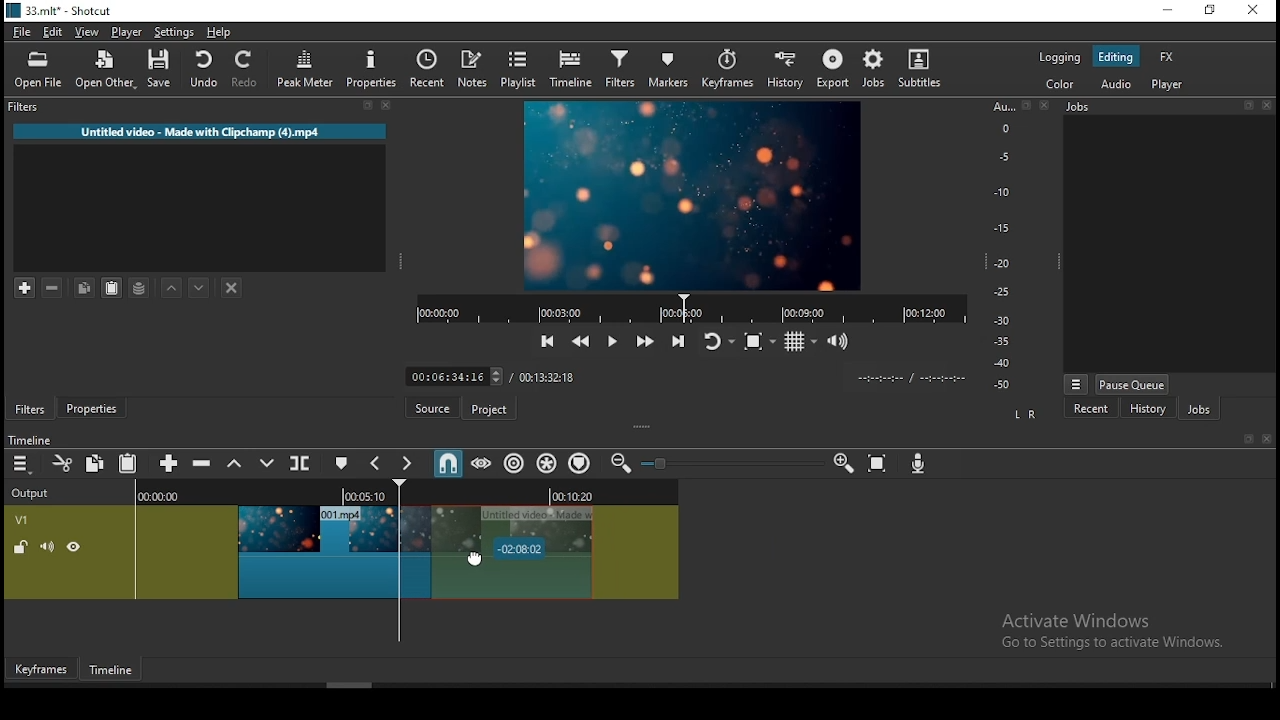 This screenshot has height=720, width=1280. Describe the element at coordinates (307, 68) in the screenshot. I see `peak meter` at that location.